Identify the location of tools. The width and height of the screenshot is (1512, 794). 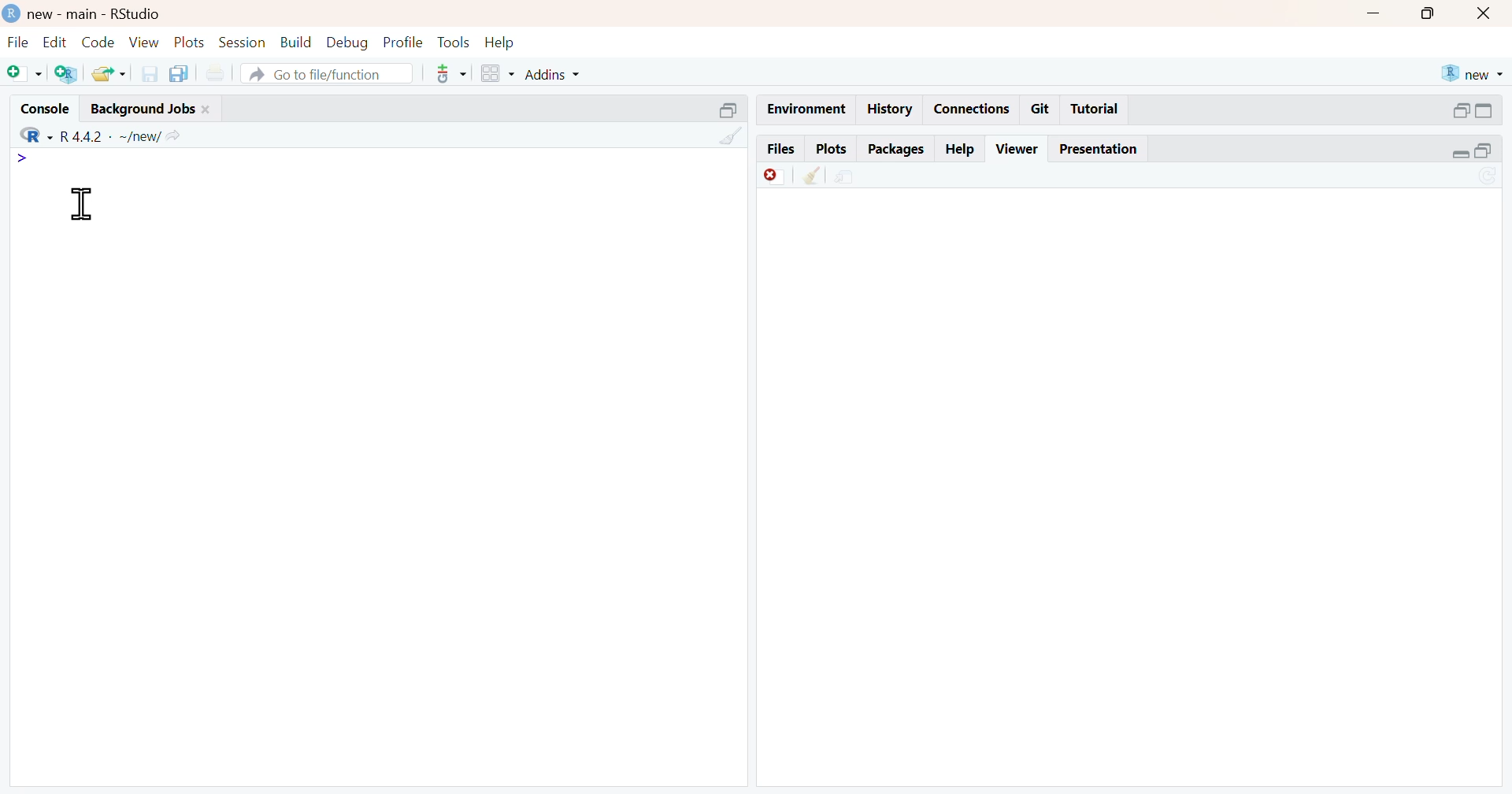
(453, 41).